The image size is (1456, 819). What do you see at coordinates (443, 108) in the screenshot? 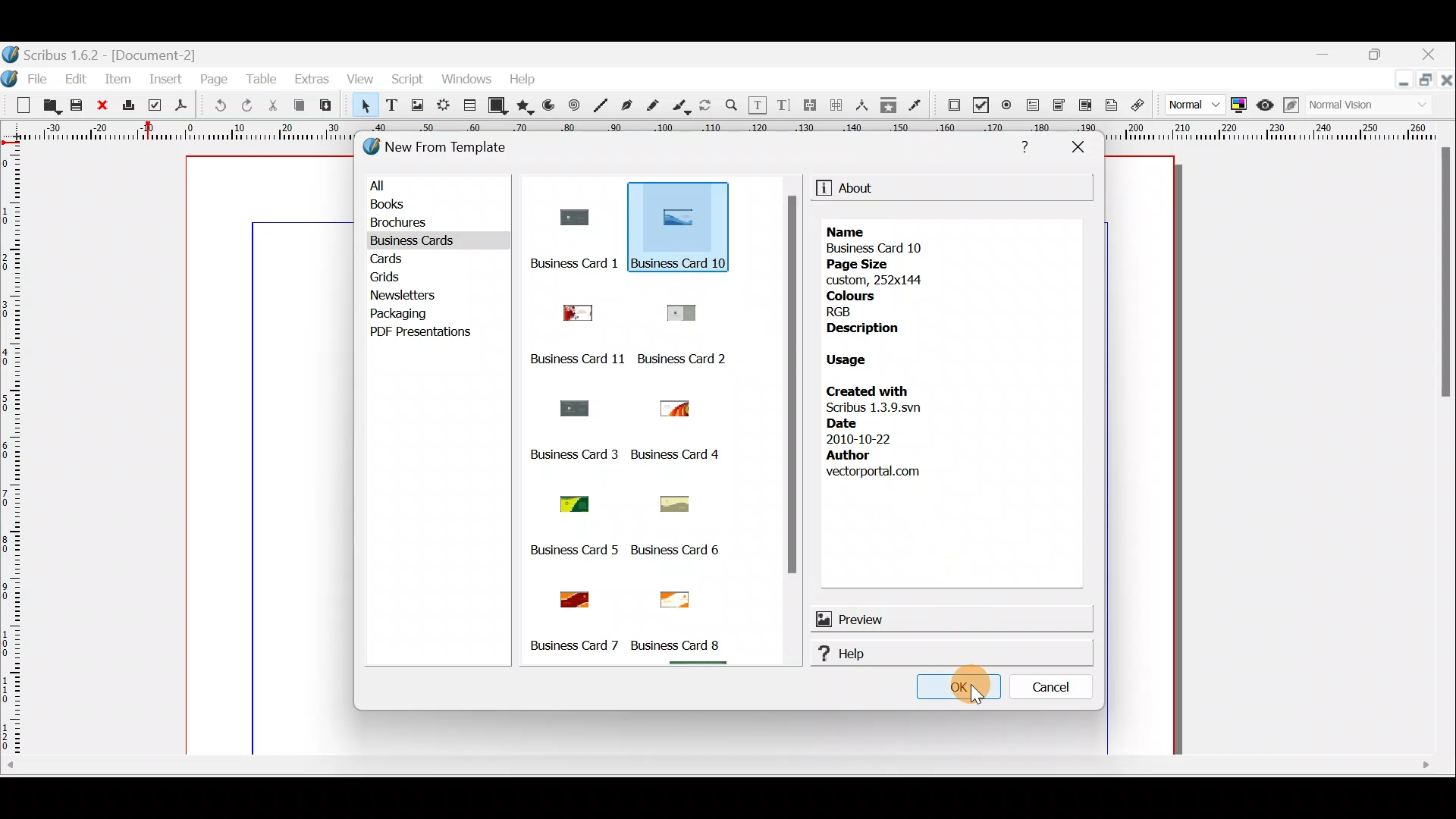
I see `Render frame` at bounding box center [443, 108].